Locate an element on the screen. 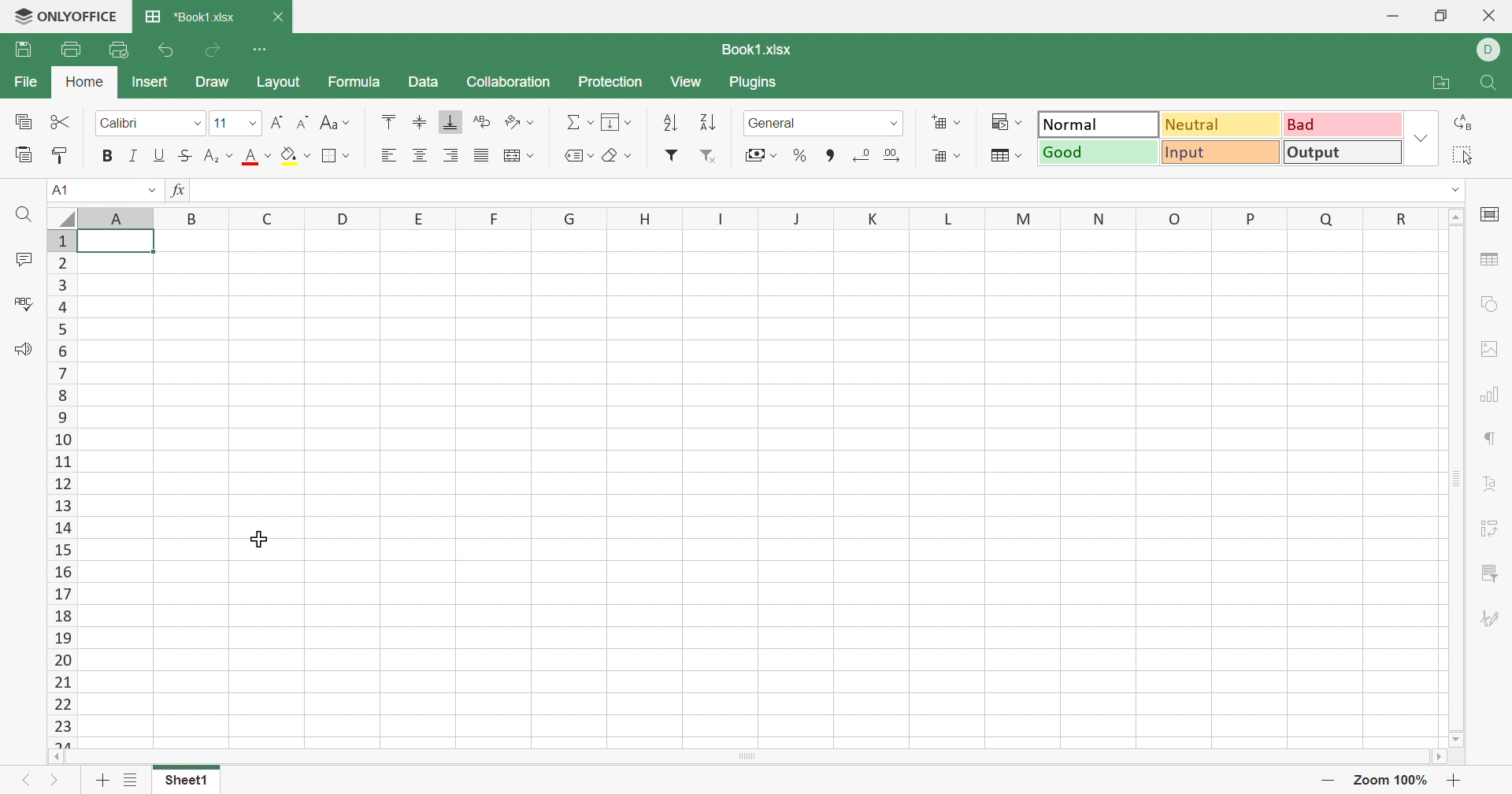  Accounting style is located at coordinates (751, 155).